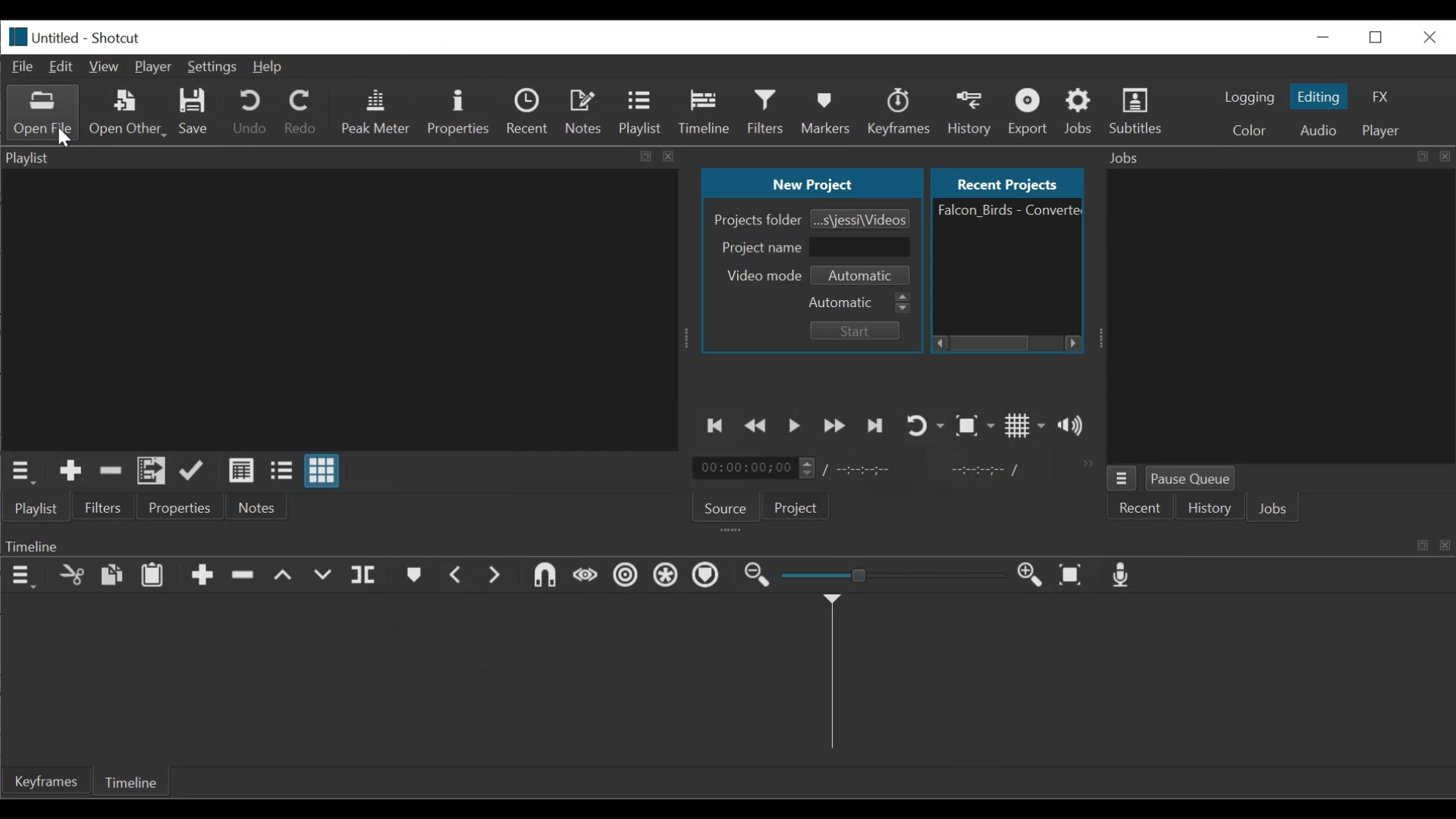 Image resolution: width=1456 pixels, height=819 pixels. I want to click on Video mode, so click(762, 275).